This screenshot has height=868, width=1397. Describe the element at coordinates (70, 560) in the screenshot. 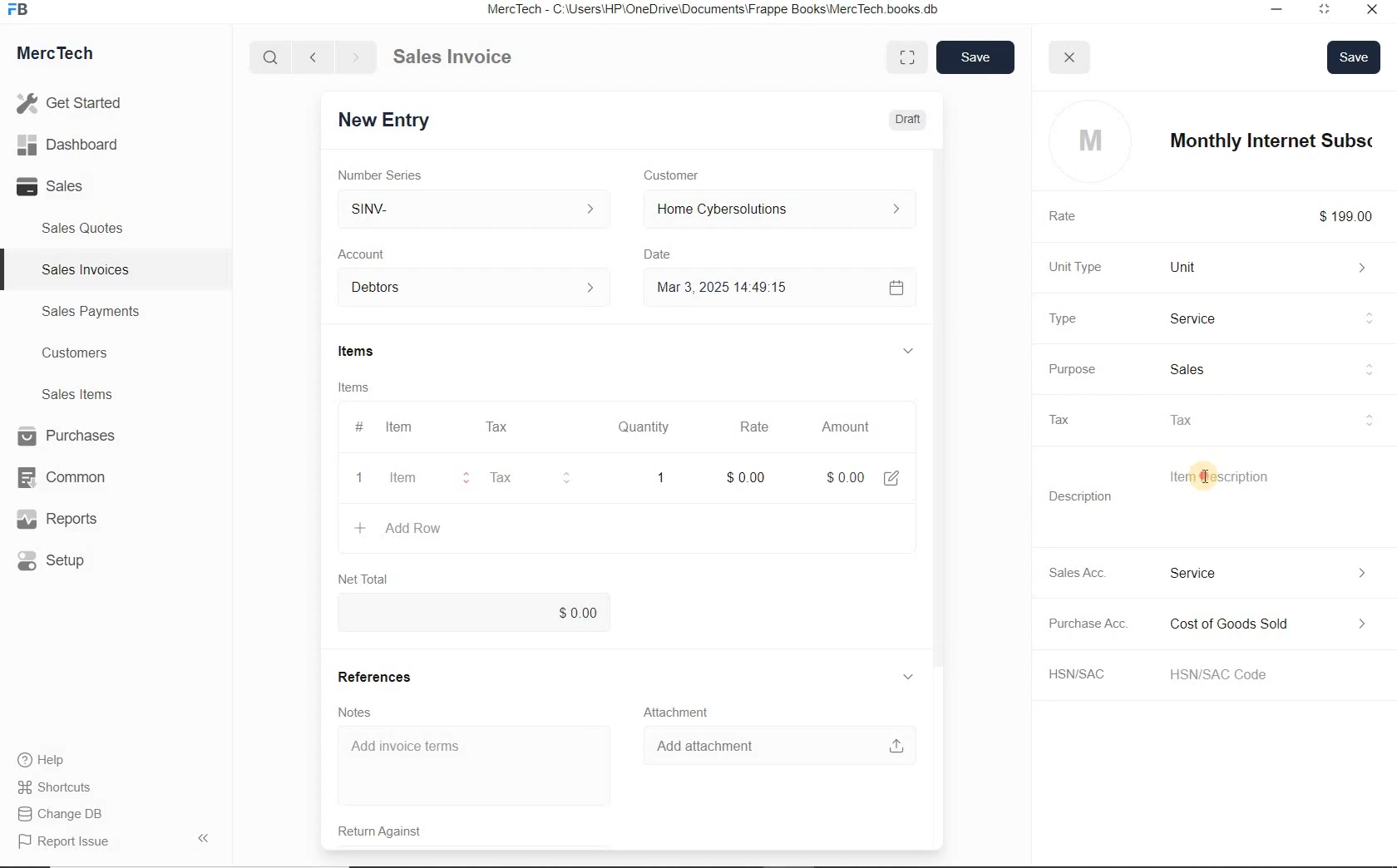

I see `Setup` at that location.